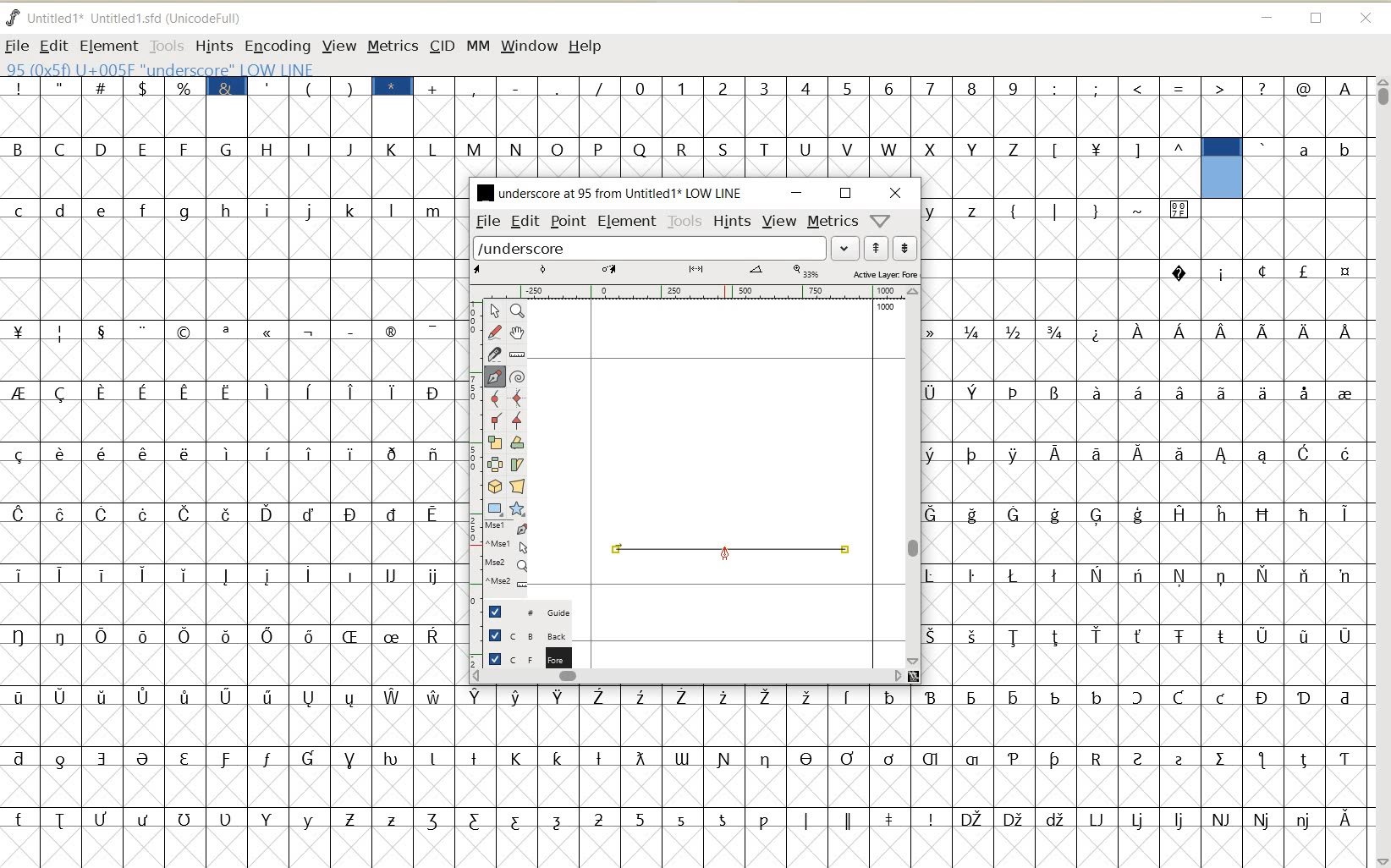 This screenshot has height=868, width=1391. I want to click on CLOSE, so click(896, 193).